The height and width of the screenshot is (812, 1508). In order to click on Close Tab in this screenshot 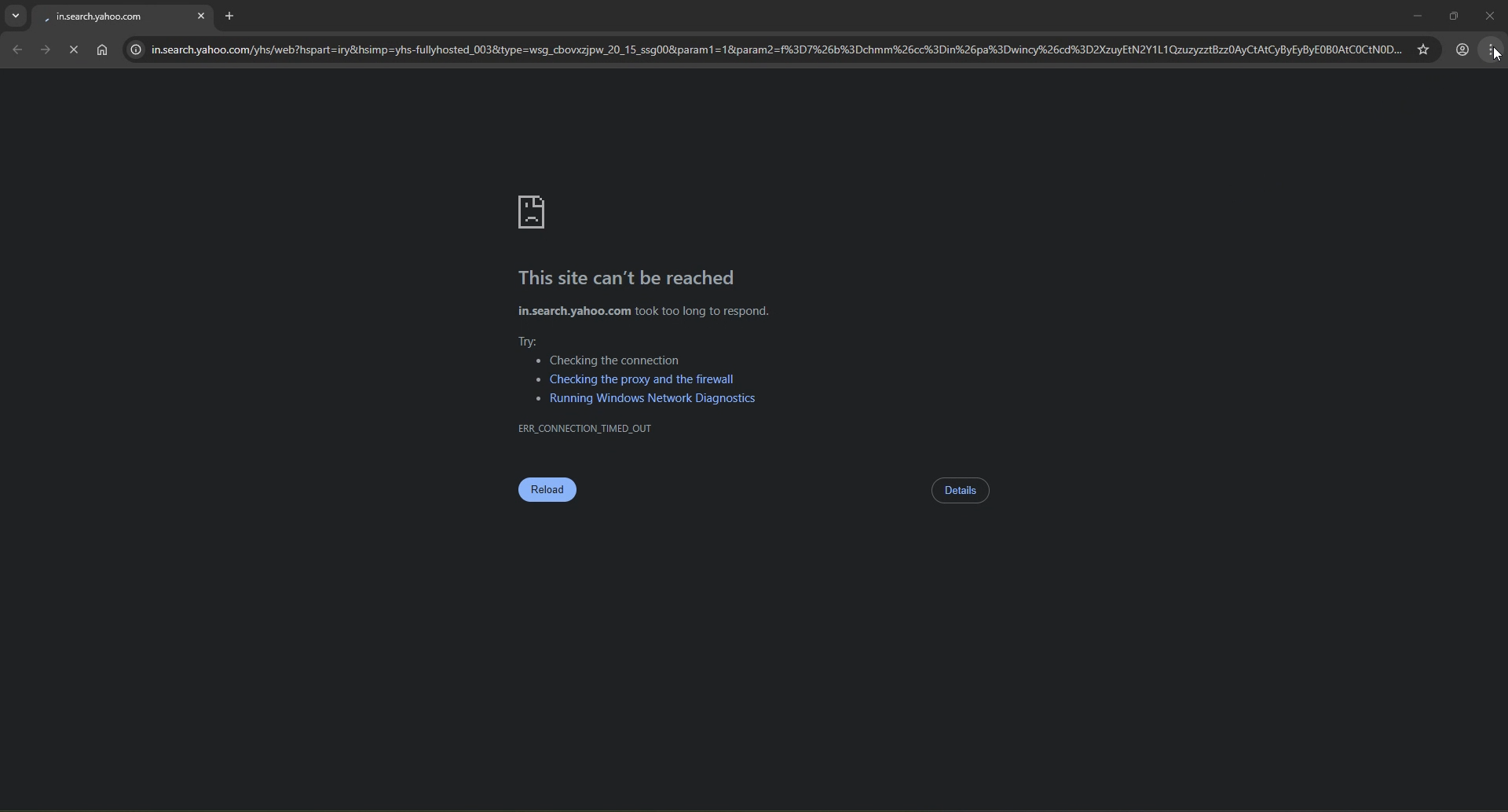, I will do `click(202, 13)`.